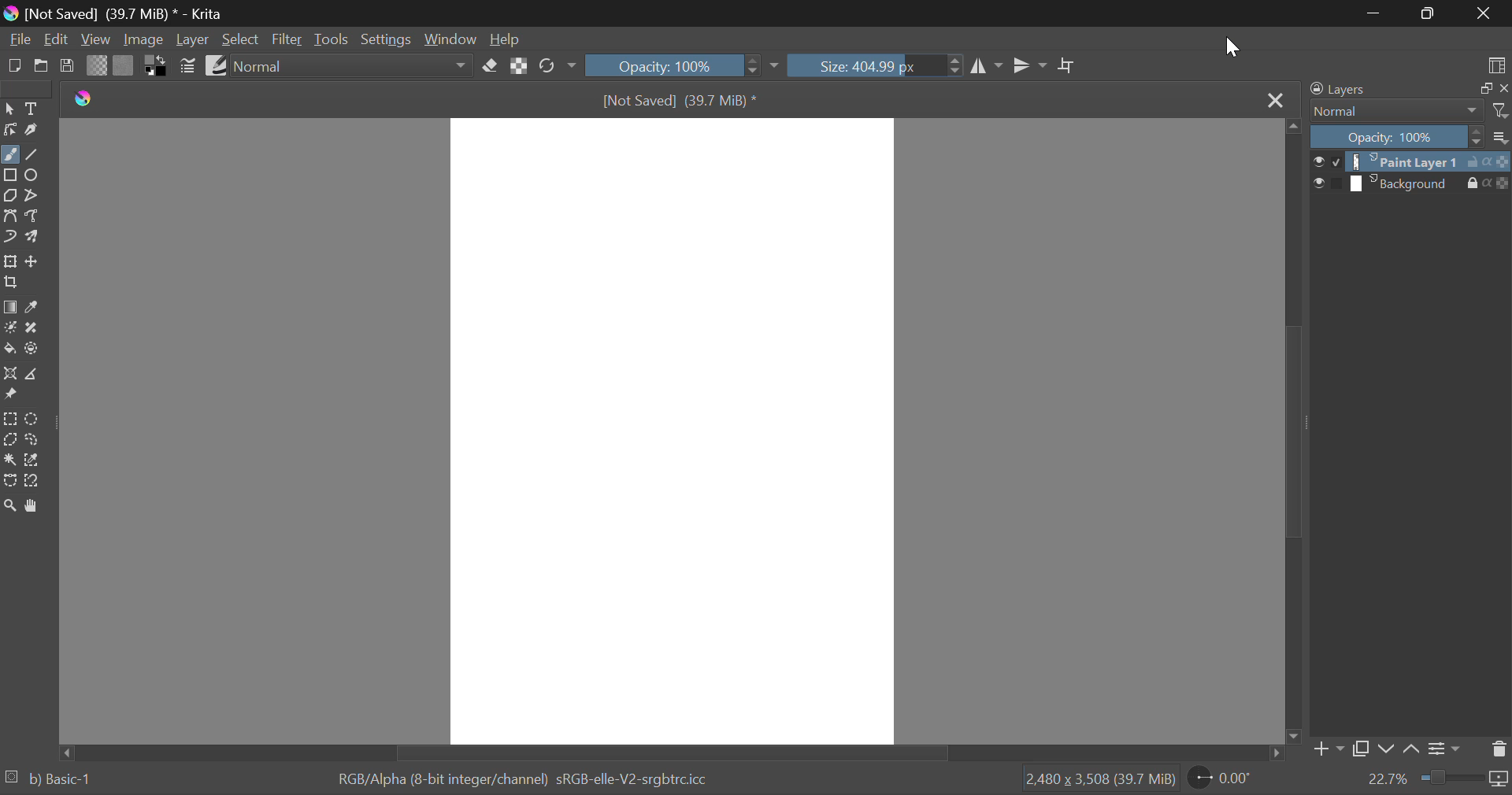 This screenshot has height=795, width=1512. Describe the element at coordinates (217, 66) in the screenshot. I see `Brush Presets` at that location.